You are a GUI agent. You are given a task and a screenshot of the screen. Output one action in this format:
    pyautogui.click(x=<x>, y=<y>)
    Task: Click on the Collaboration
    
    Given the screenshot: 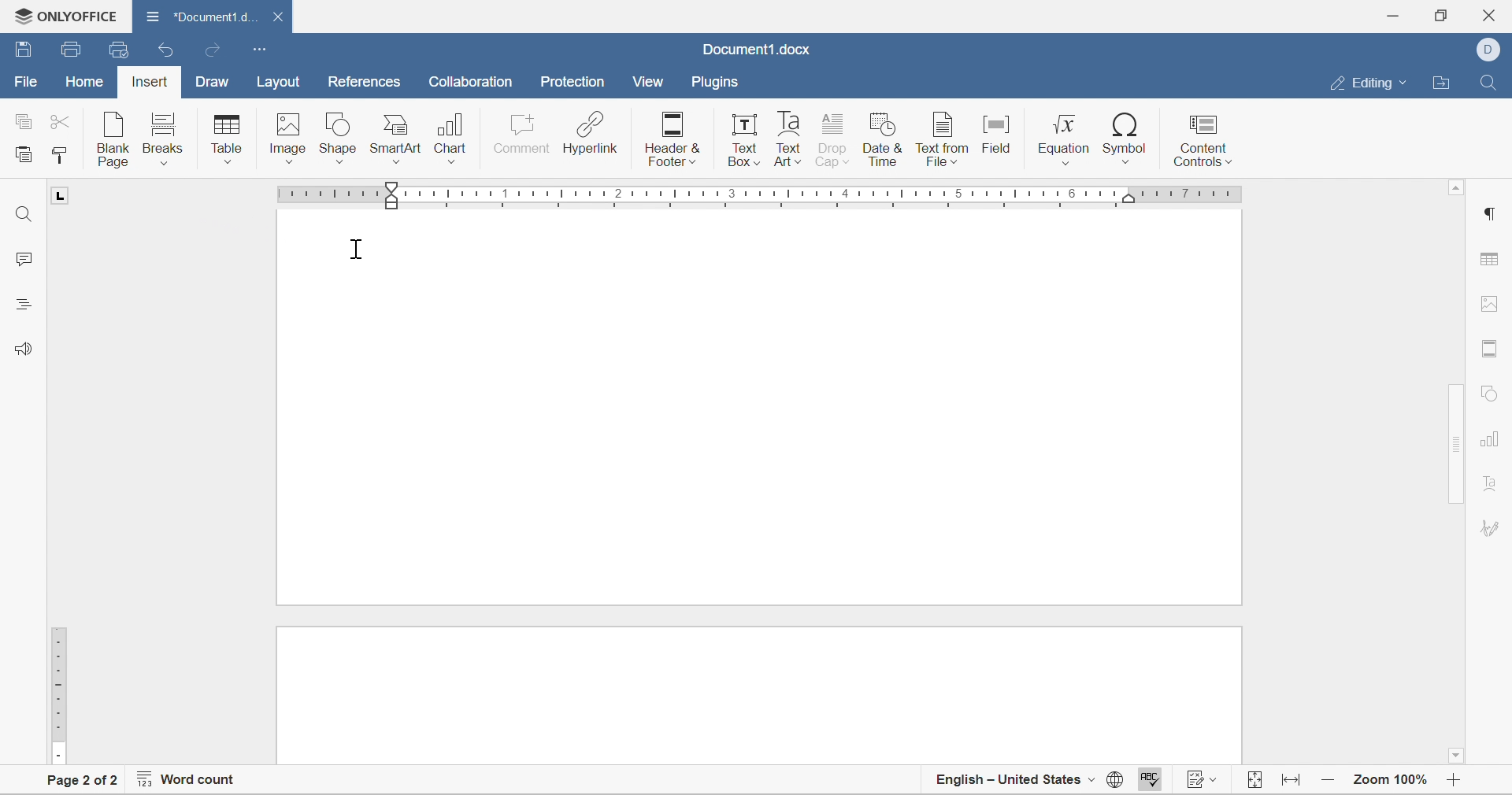 What is the action you would take?
    pyautogui.click(x=474, y=83)
    